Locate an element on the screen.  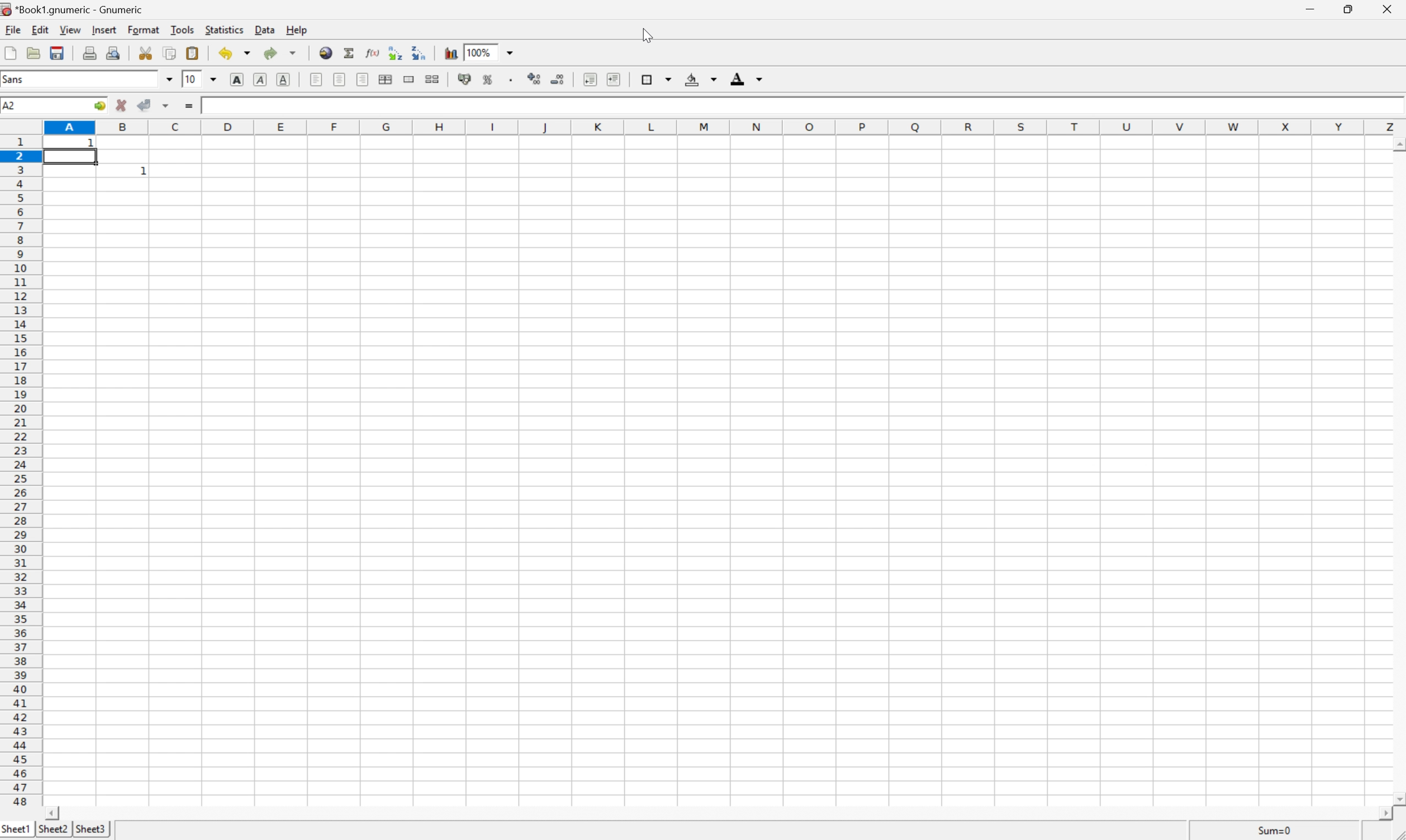
sheet2 is located at coordinates (53, 832).